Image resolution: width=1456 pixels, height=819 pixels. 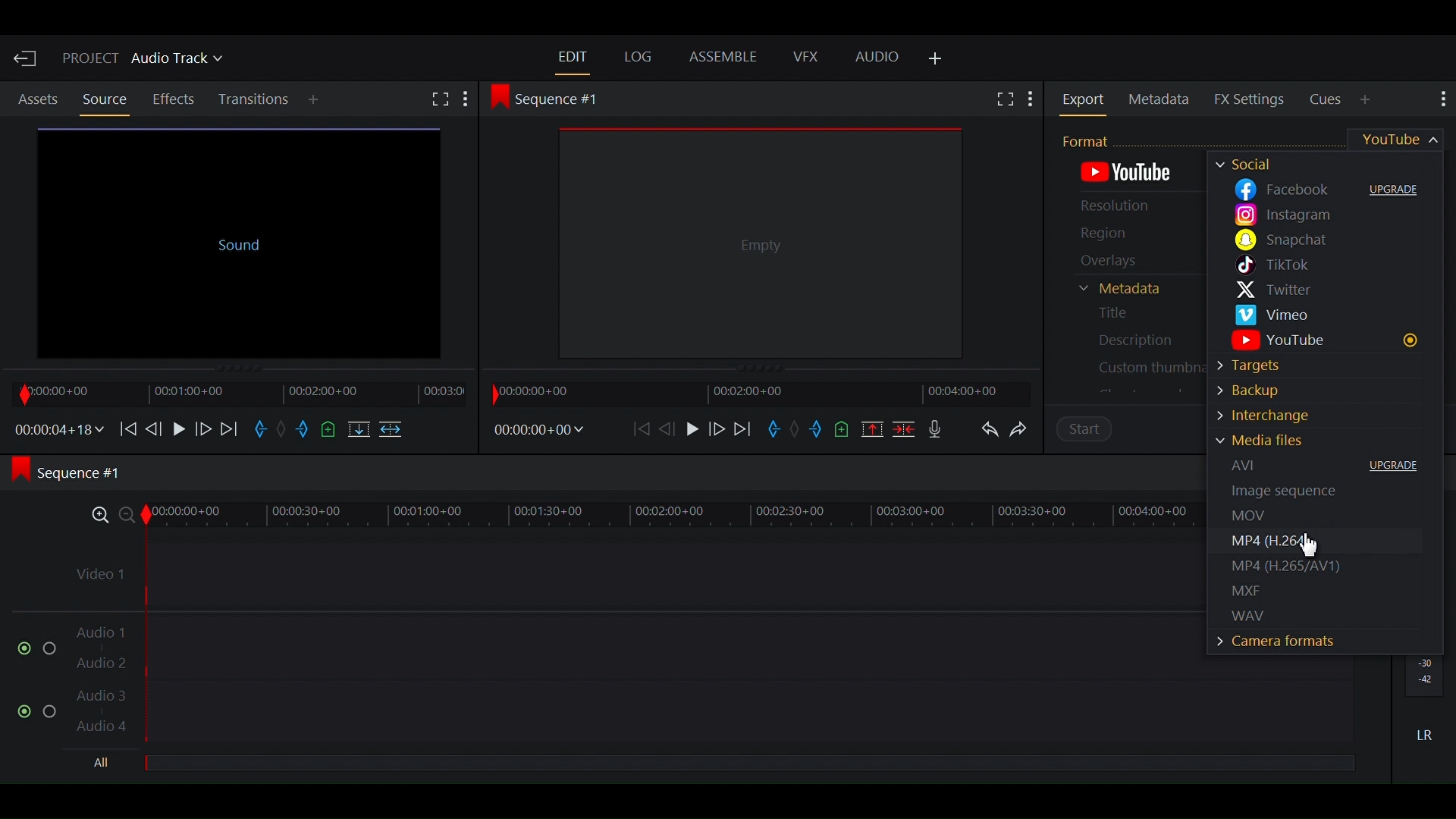 I want to click on LR, so click(x=1430, y=735).